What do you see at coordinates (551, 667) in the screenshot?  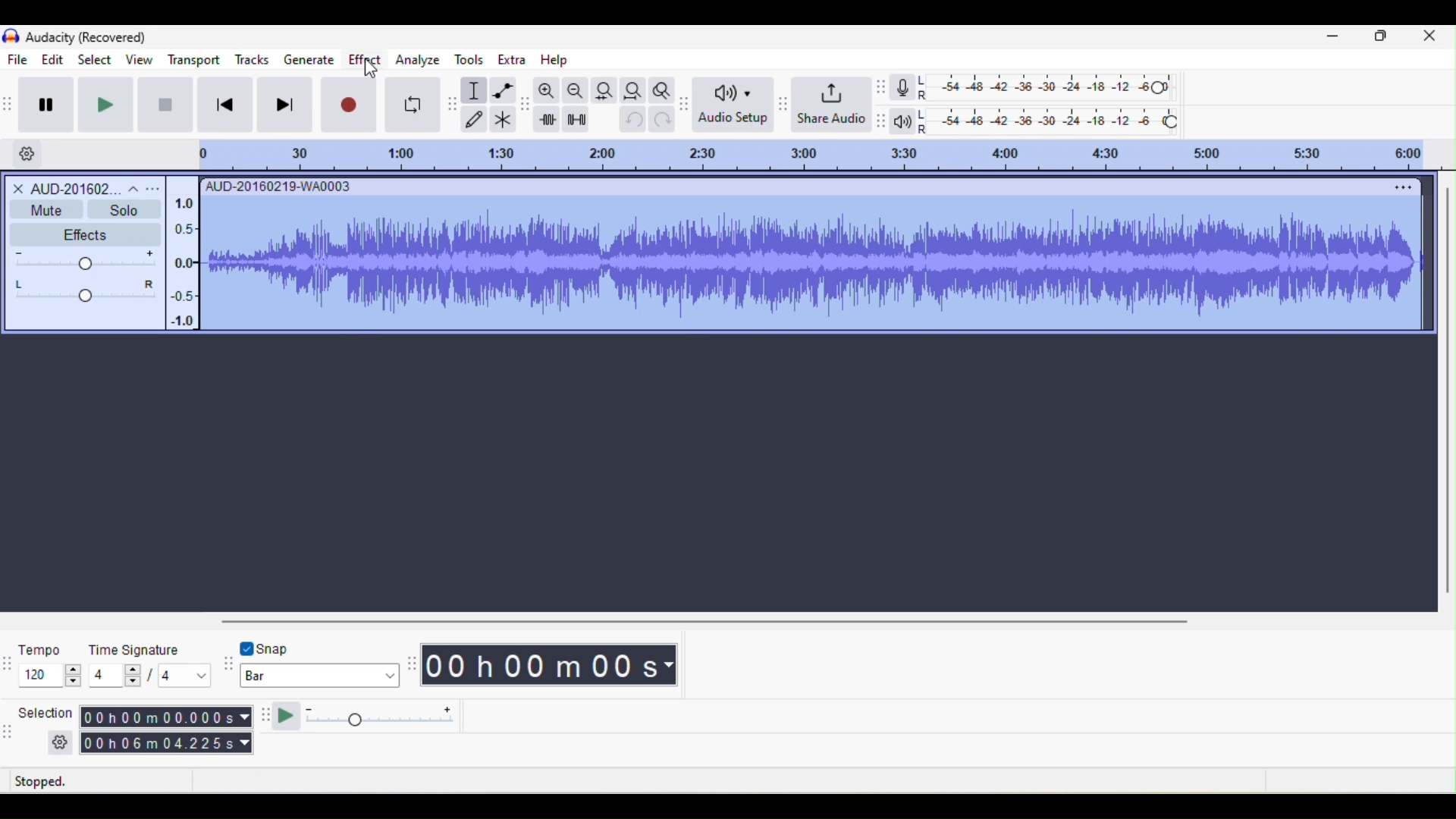 I see `00 h 00 m 00 s` at bounding box center [551, 667].